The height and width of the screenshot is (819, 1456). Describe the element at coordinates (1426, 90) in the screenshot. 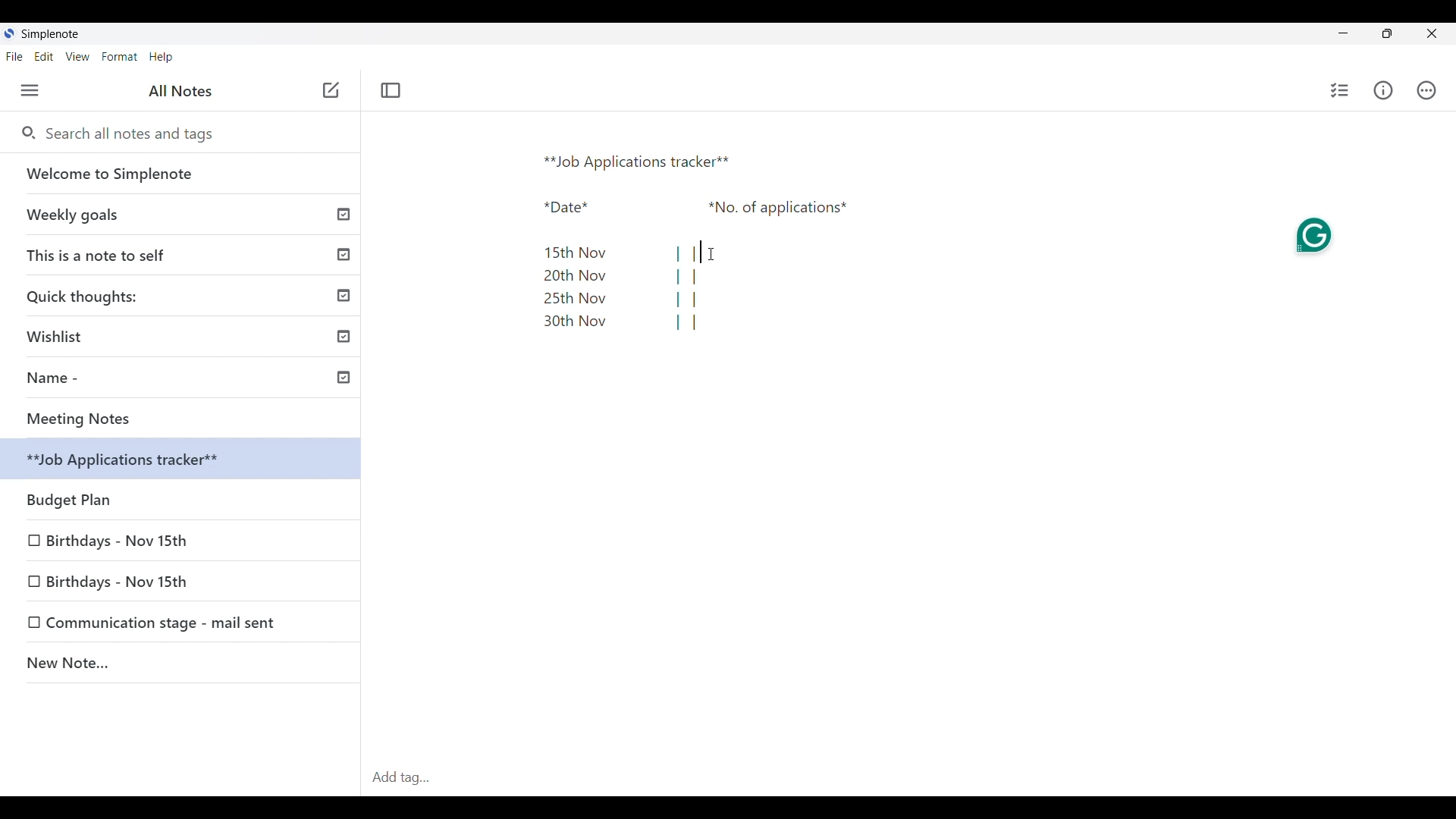

I see `Actions` at that location.